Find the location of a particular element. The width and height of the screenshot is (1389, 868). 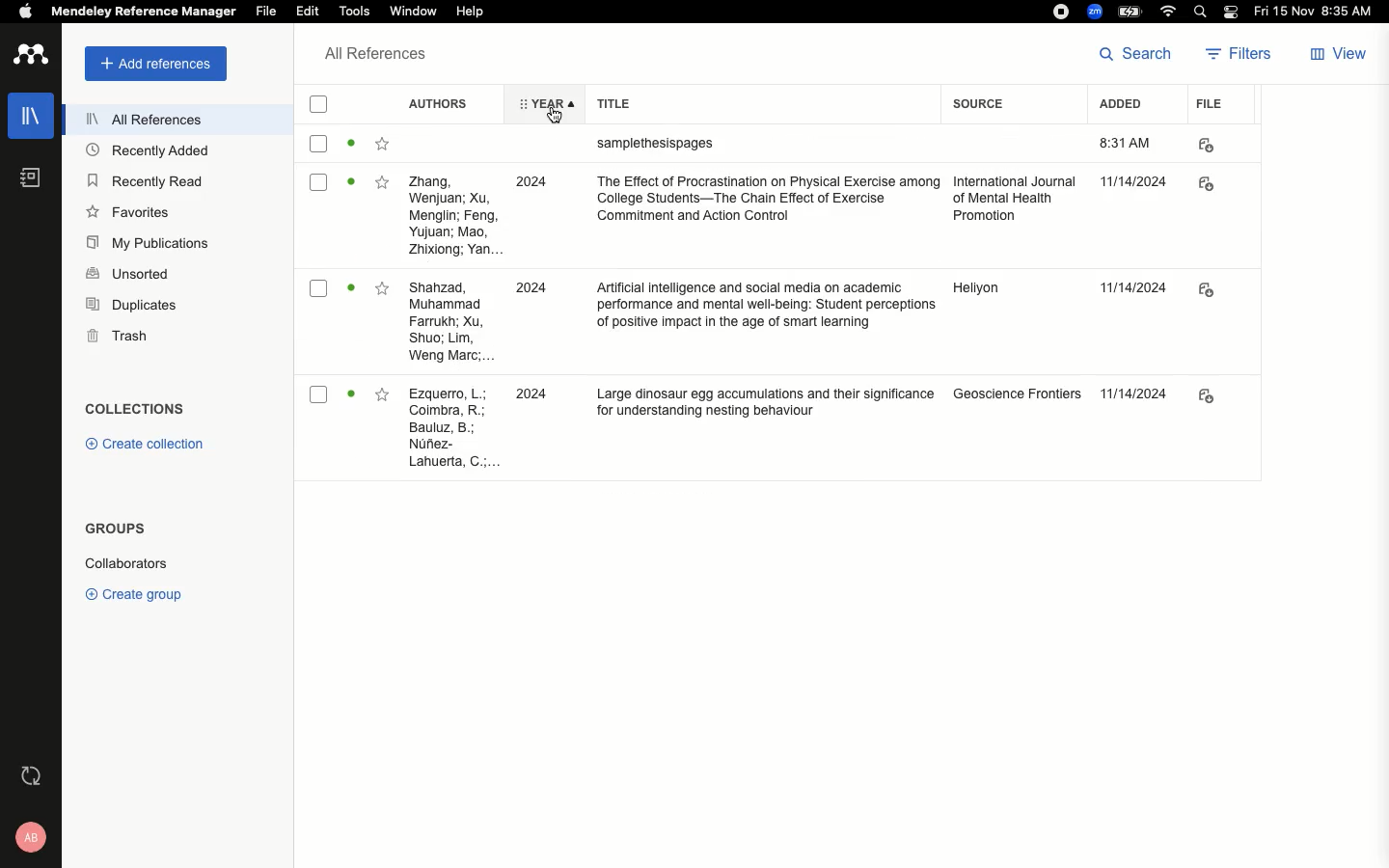

Unsorted is located at coordinates (130, 275).